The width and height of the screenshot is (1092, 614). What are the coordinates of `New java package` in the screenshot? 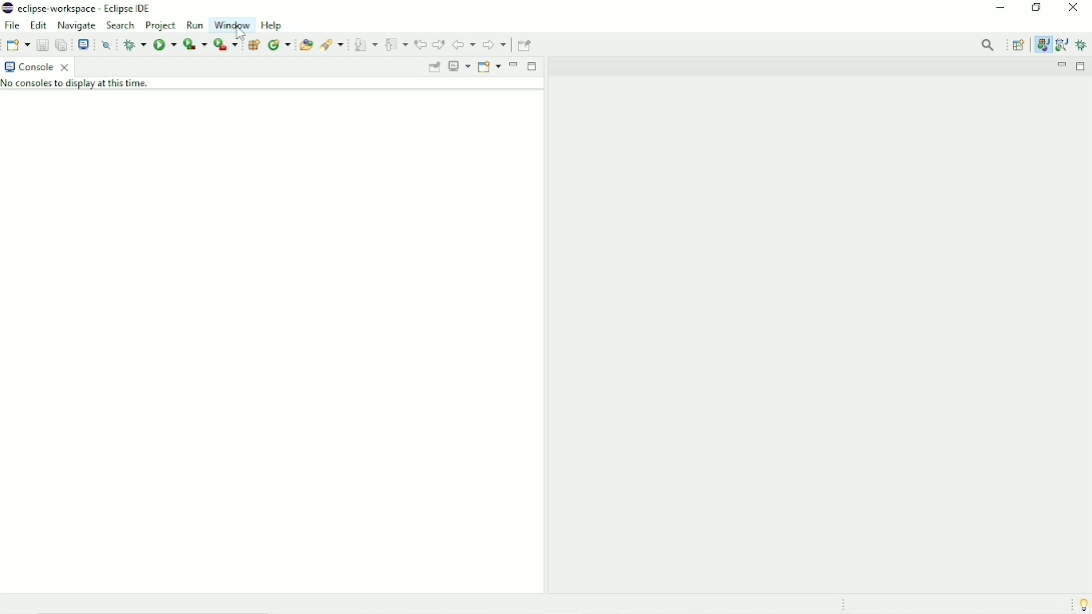 It's located at (253, 45).